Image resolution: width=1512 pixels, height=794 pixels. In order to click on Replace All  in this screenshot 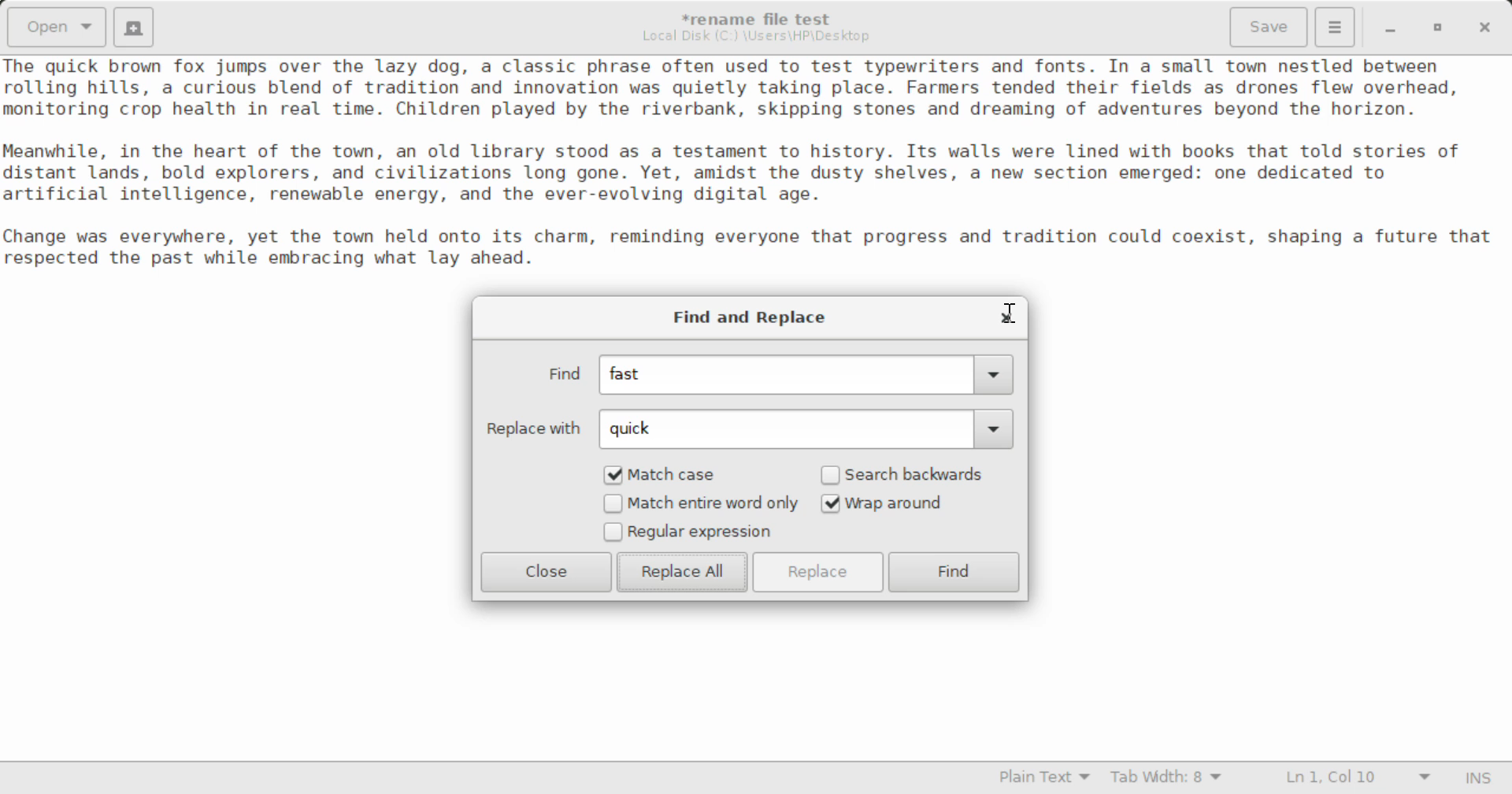, I will do `click(682, 572)`.